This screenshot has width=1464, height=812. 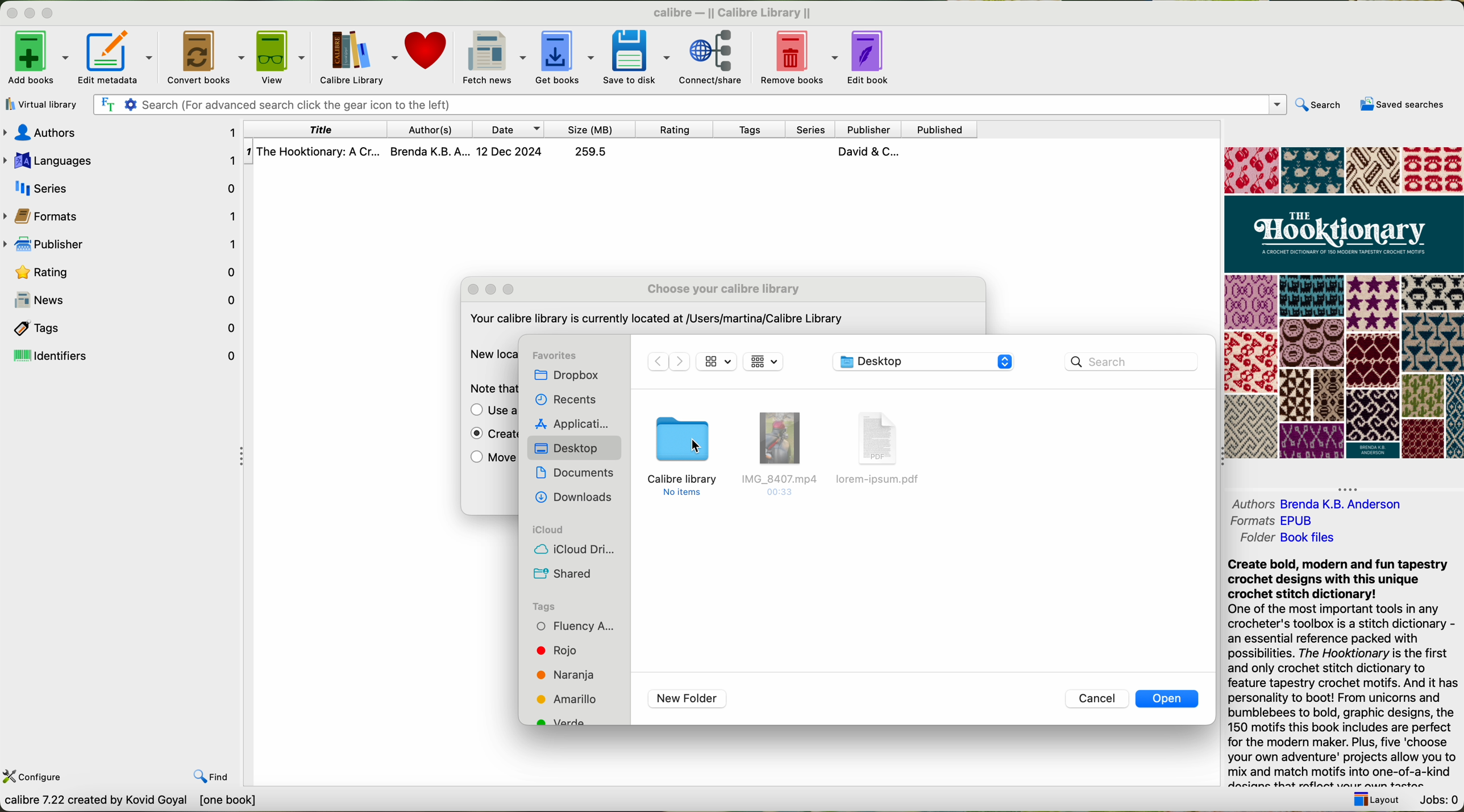 What do you see at coordinates (36, 59) in the screenshot?
I see `add books` at bounding box center [36, 59].